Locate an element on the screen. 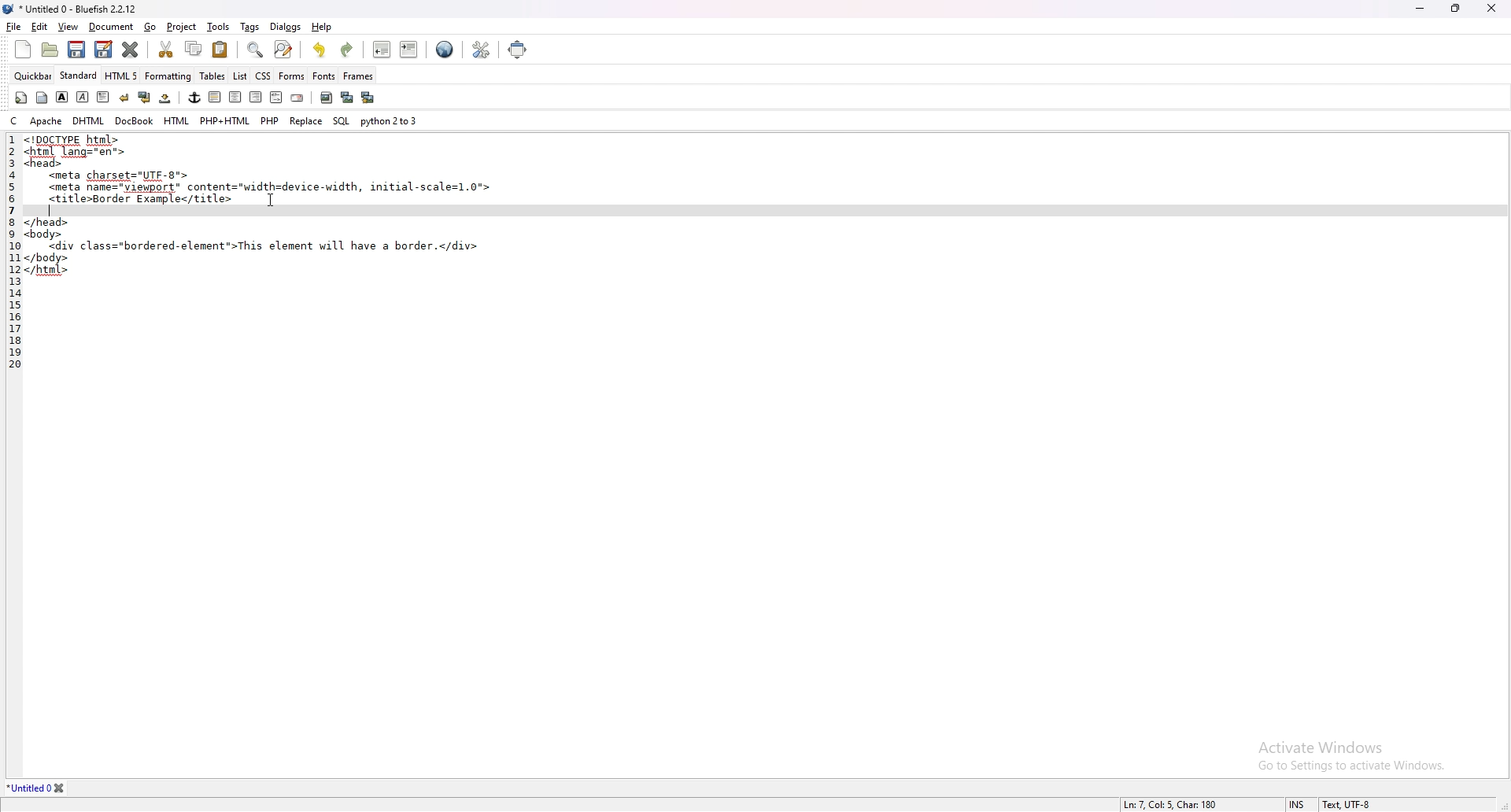 This screenshot has width=1511, height=812. edit is located at coordinates (39, 28).